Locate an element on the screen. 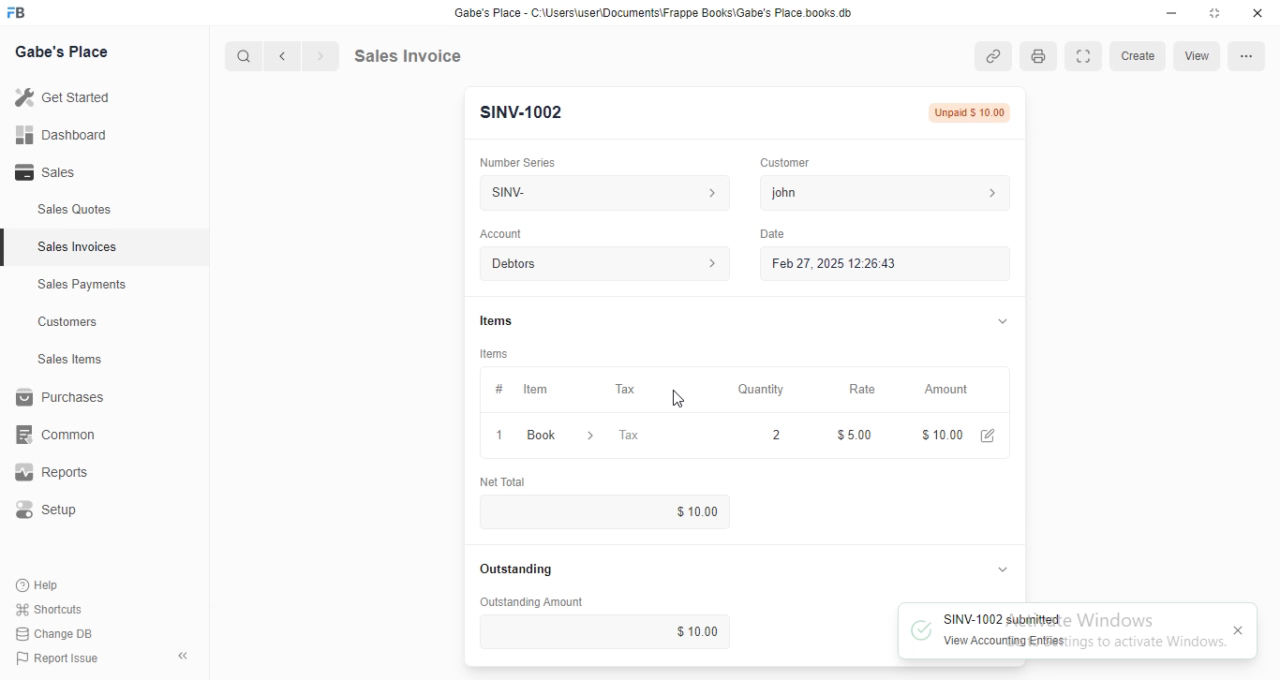 The image size is (1280, 680). SINV-1002 is located at coordinates (523, 113).